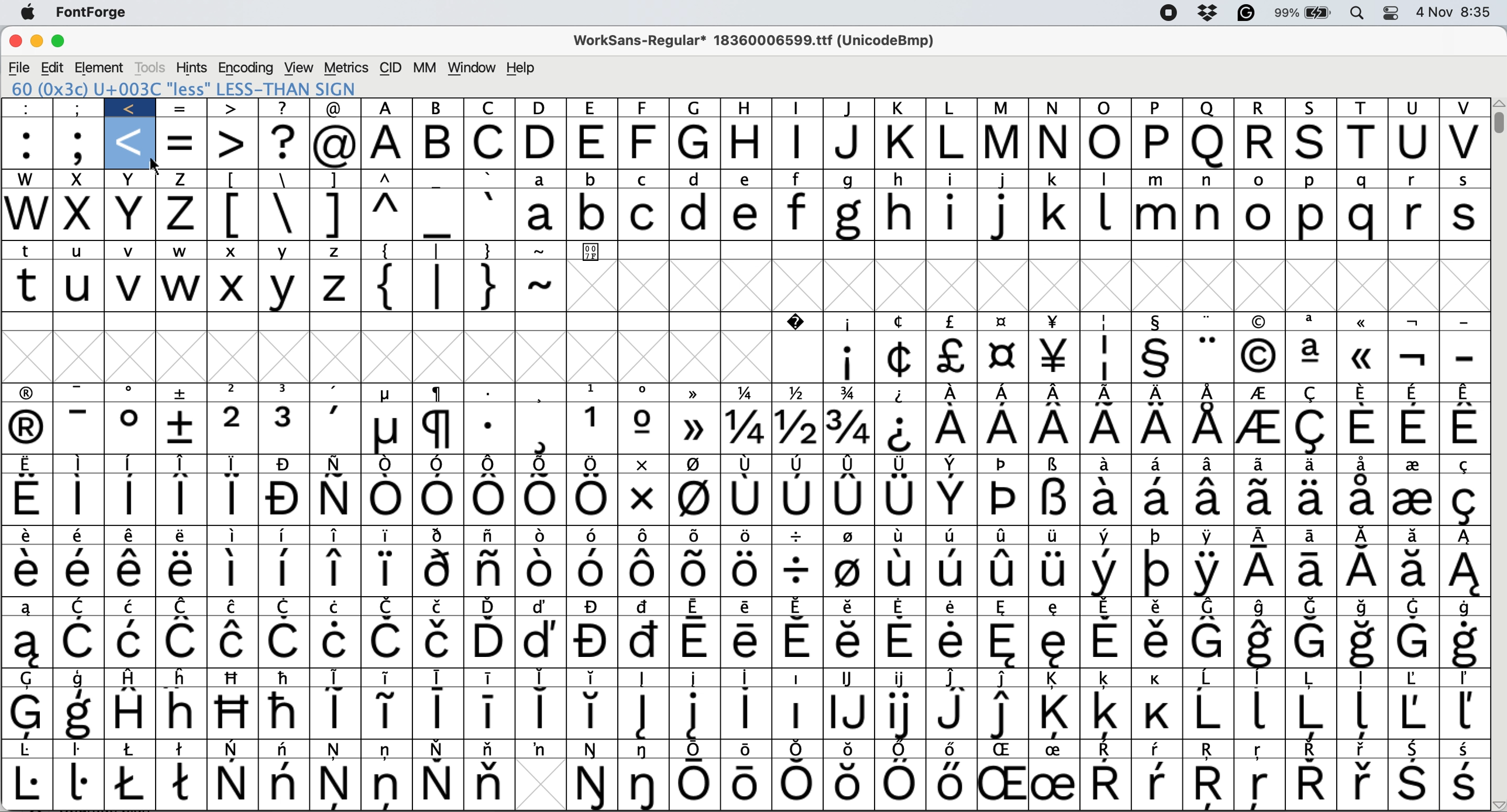 This screenshot has height=812, width=1507. What do you see at coordinates (954, 178) in the screenshot?
I see `i` at bounding box center [954, 178].